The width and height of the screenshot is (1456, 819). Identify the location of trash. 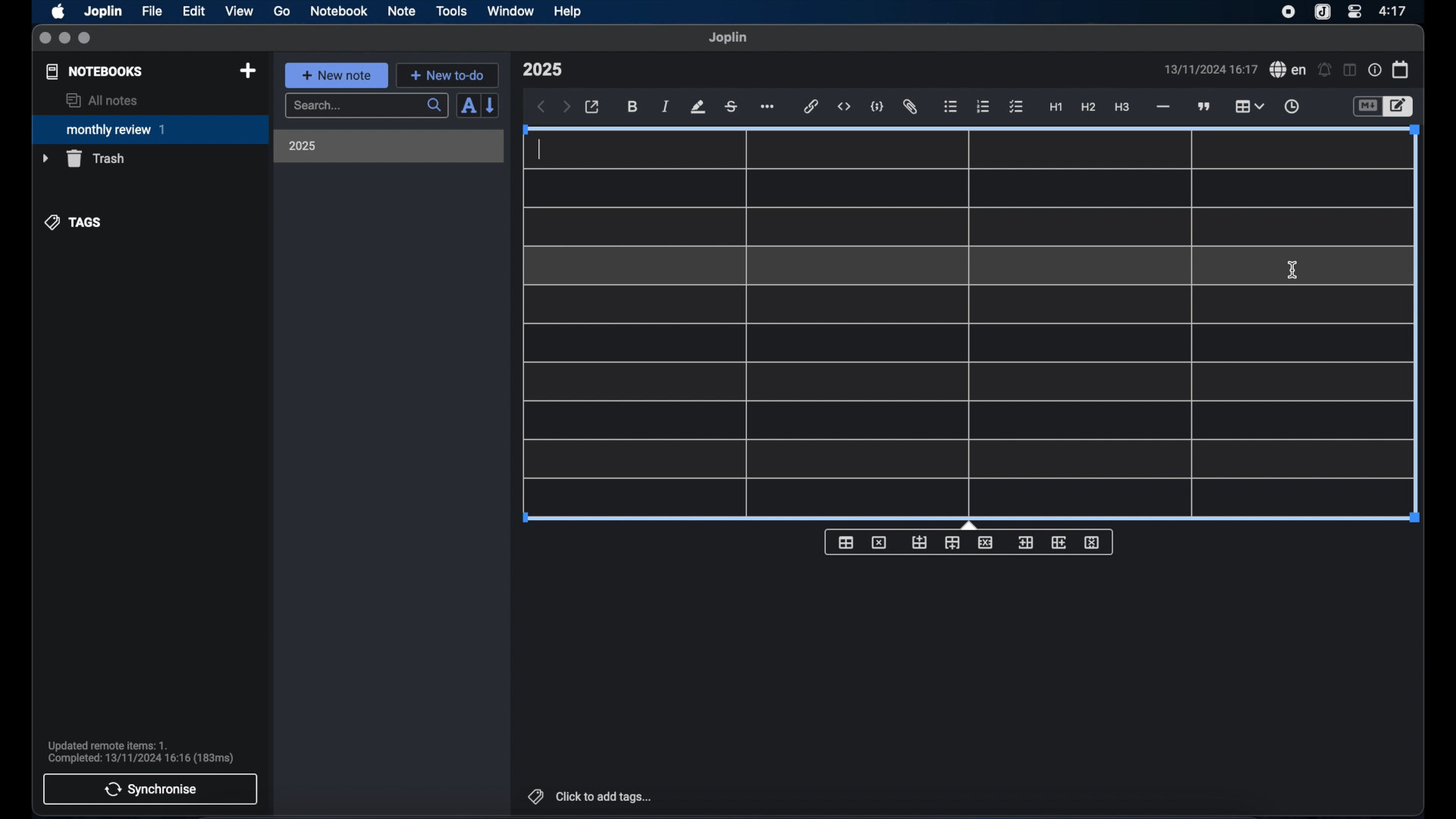
(83, 158).